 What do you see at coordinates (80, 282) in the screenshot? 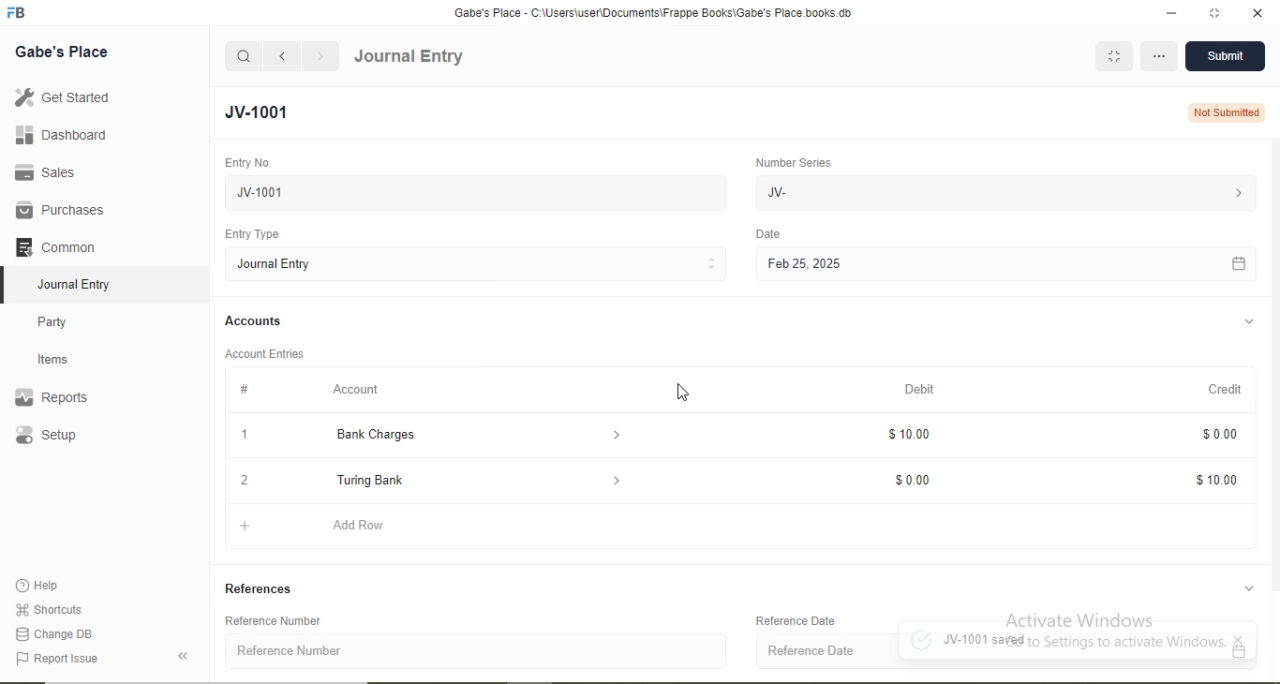
I see `Journal Entry` at bounding box center [80, 282].